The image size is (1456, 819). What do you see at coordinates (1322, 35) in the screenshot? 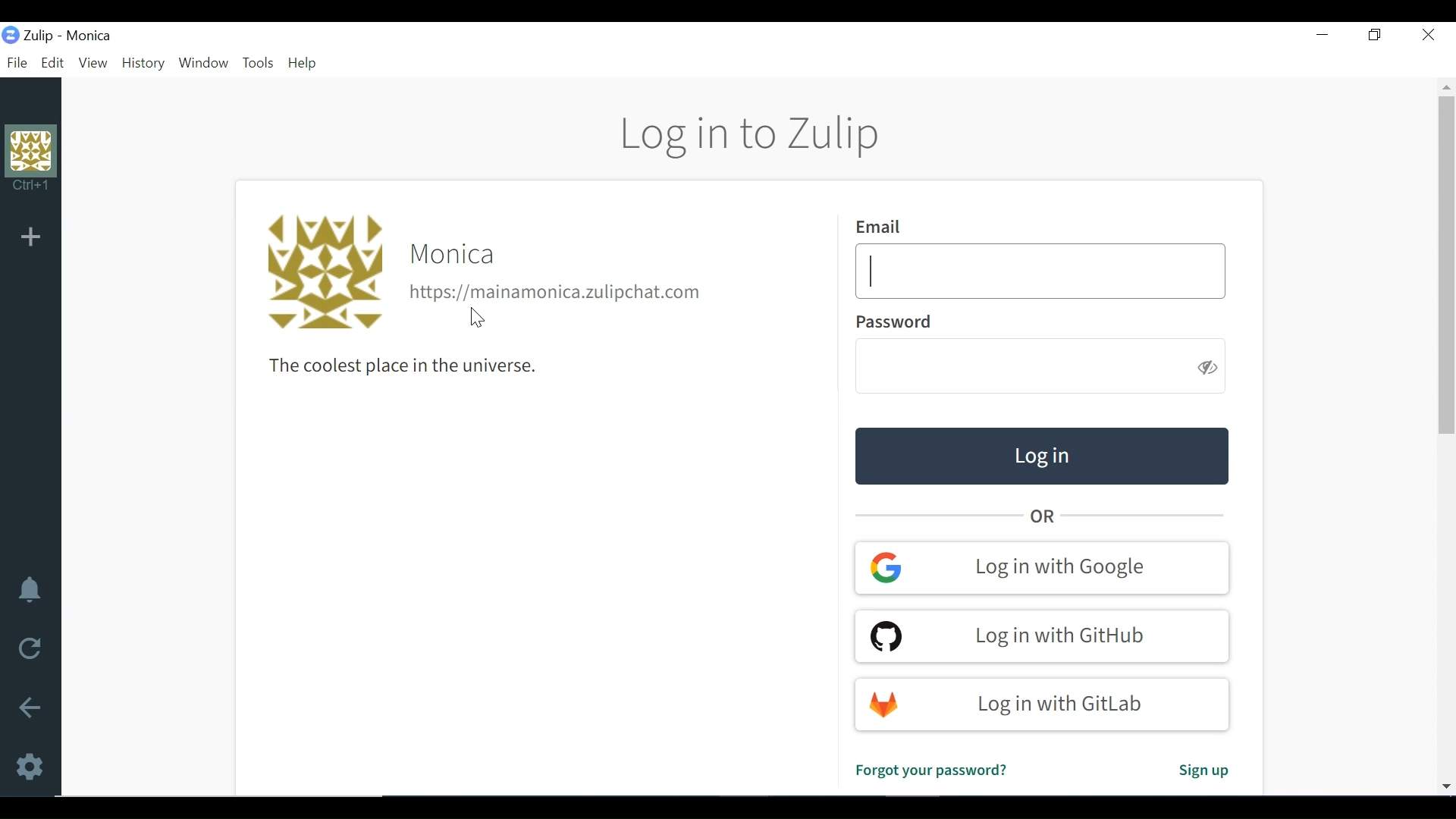
I see `minimize` at bounding box center [1322, 35].